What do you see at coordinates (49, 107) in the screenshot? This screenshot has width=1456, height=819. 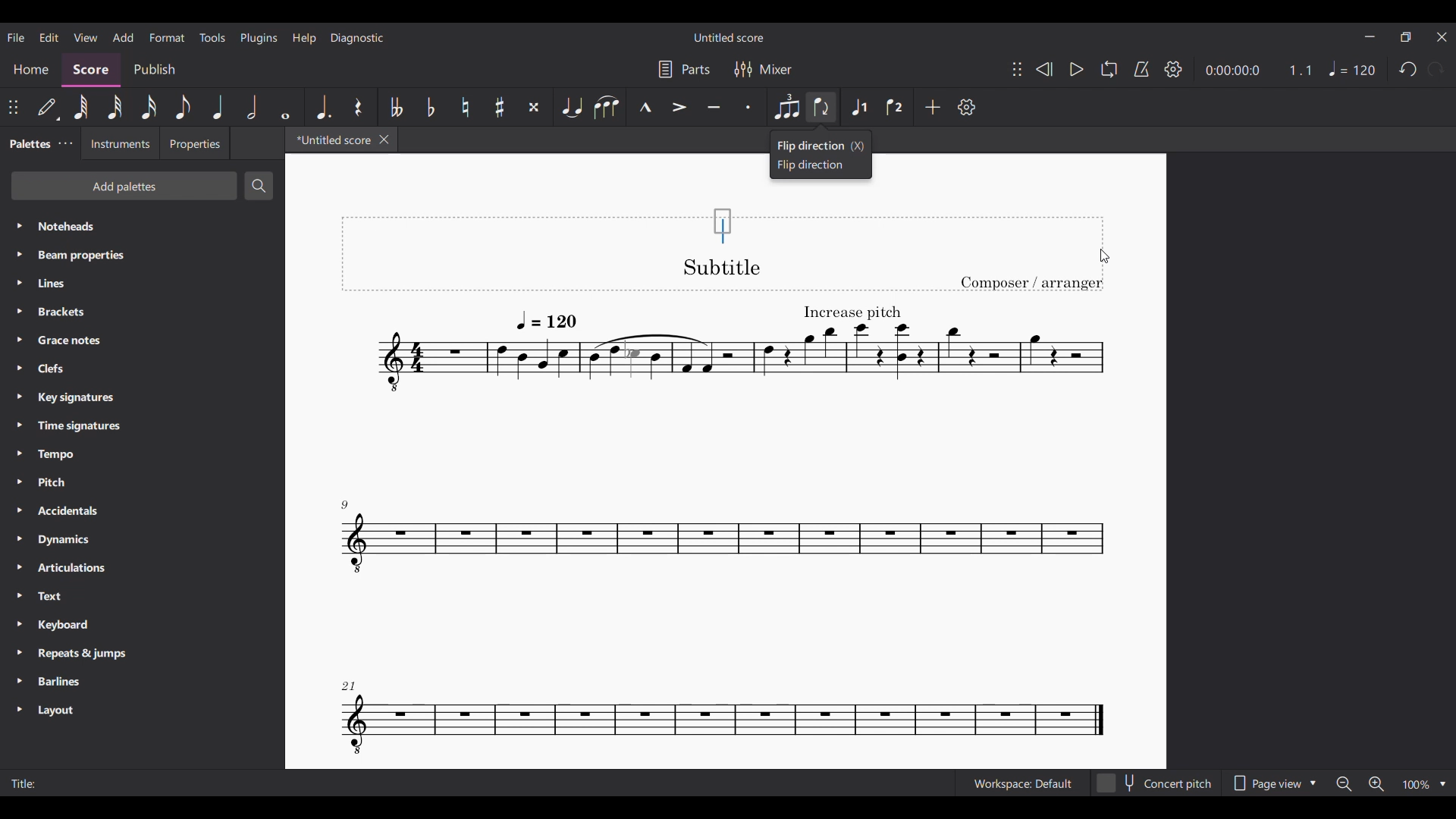 I see `Default` at bounding box center [49, 107].